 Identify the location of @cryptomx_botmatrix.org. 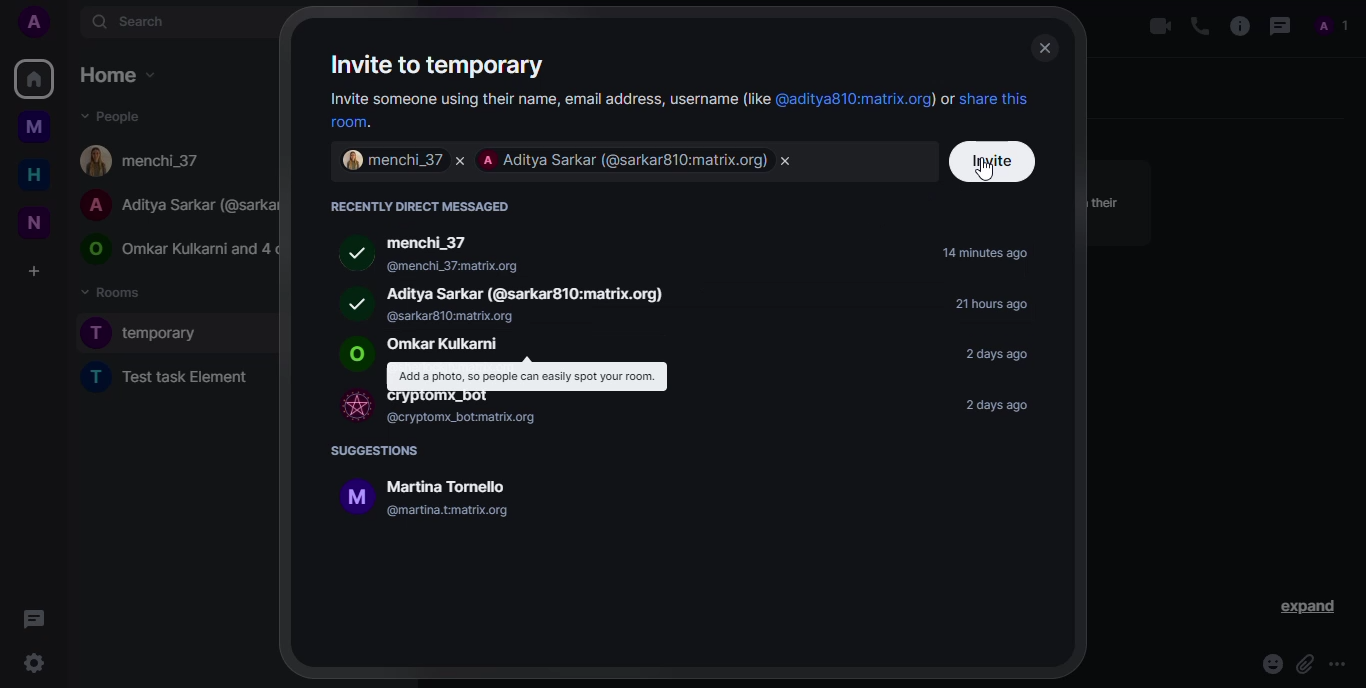
(459, 418).